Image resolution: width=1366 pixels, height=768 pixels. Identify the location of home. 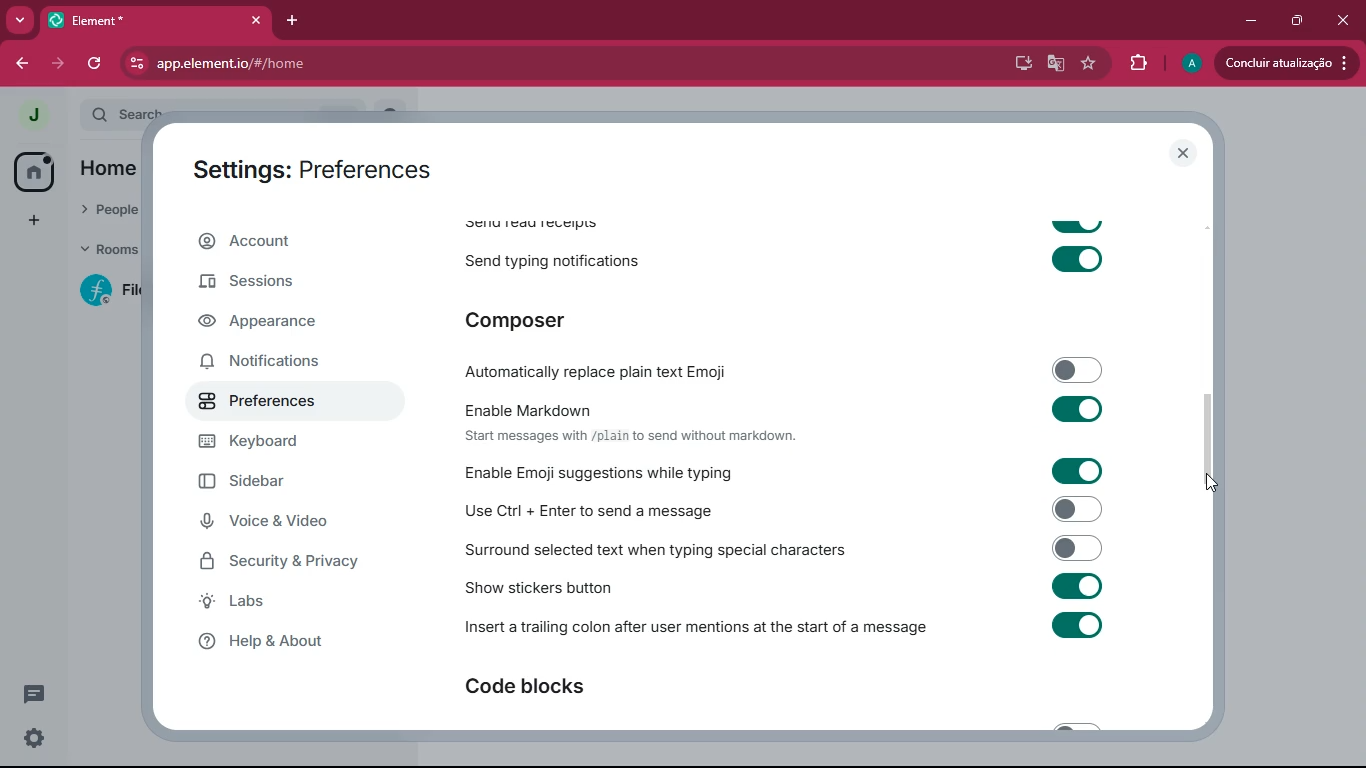
(34, 170).